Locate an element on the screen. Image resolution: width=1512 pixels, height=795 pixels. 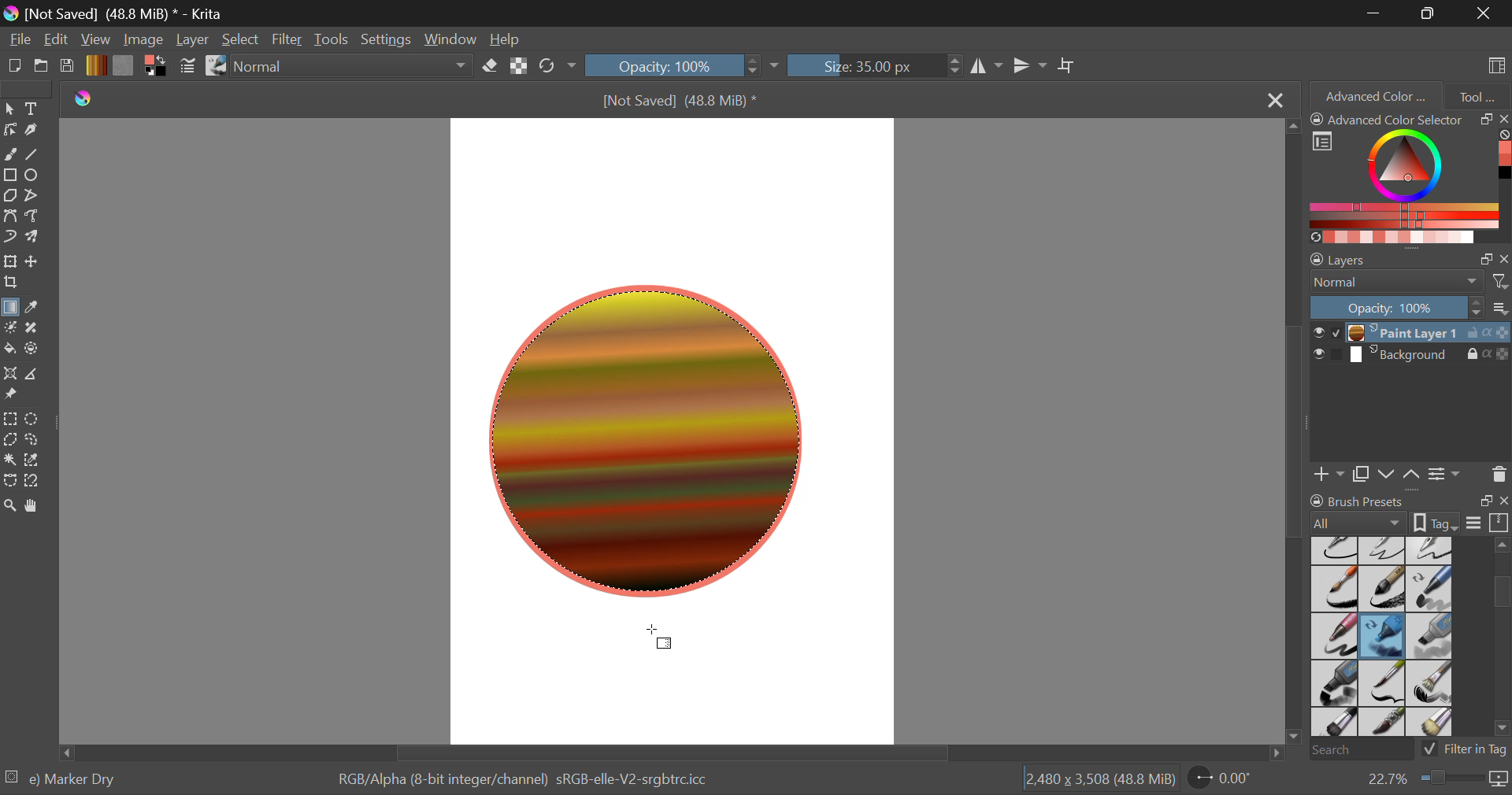
Move Layers is located at coordinates (1400, 472).